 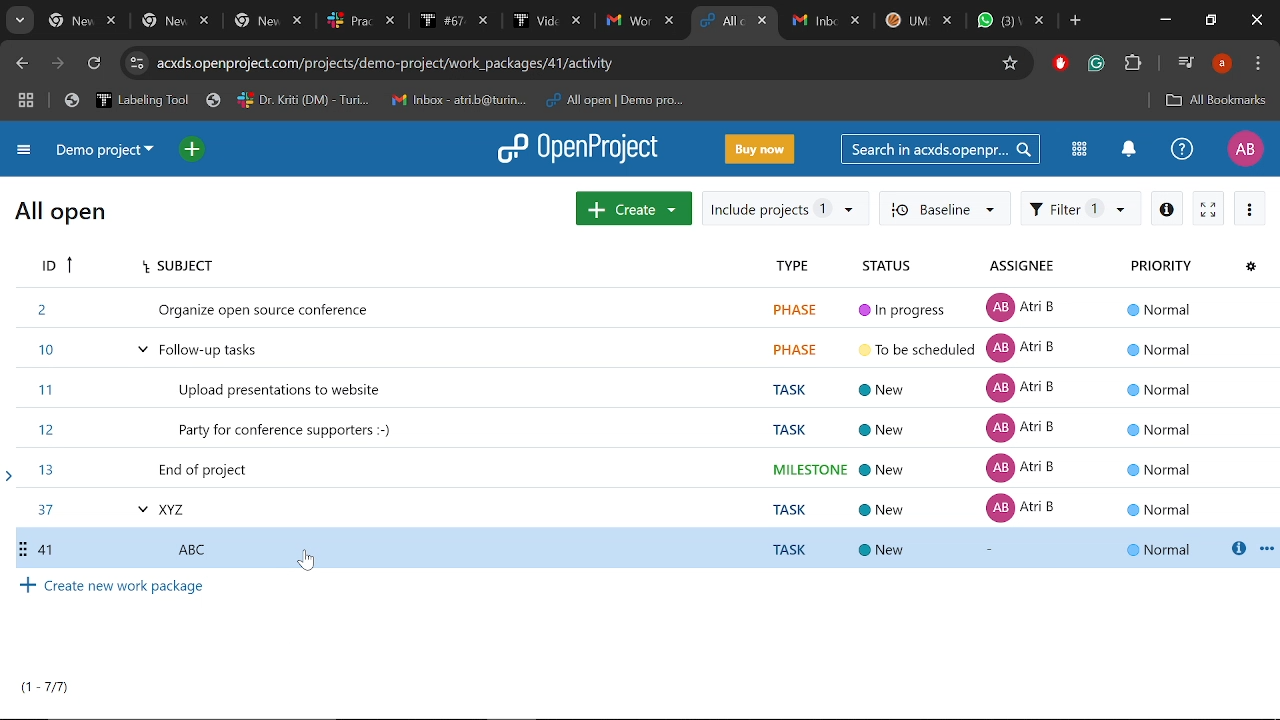 I want to click on Current projrct, so click(x=107, y=154).